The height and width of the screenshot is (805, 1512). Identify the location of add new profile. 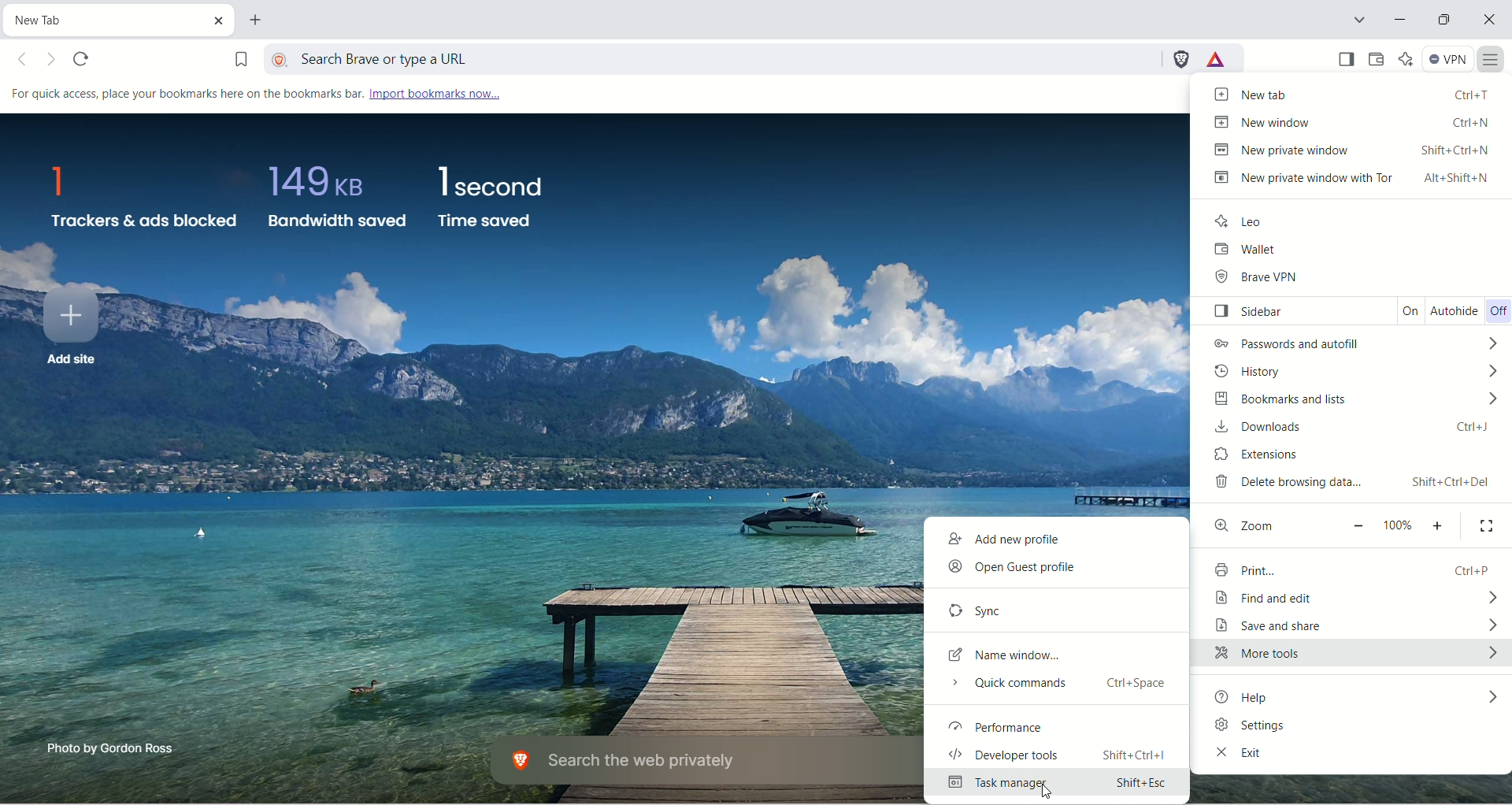
(1060, 540).